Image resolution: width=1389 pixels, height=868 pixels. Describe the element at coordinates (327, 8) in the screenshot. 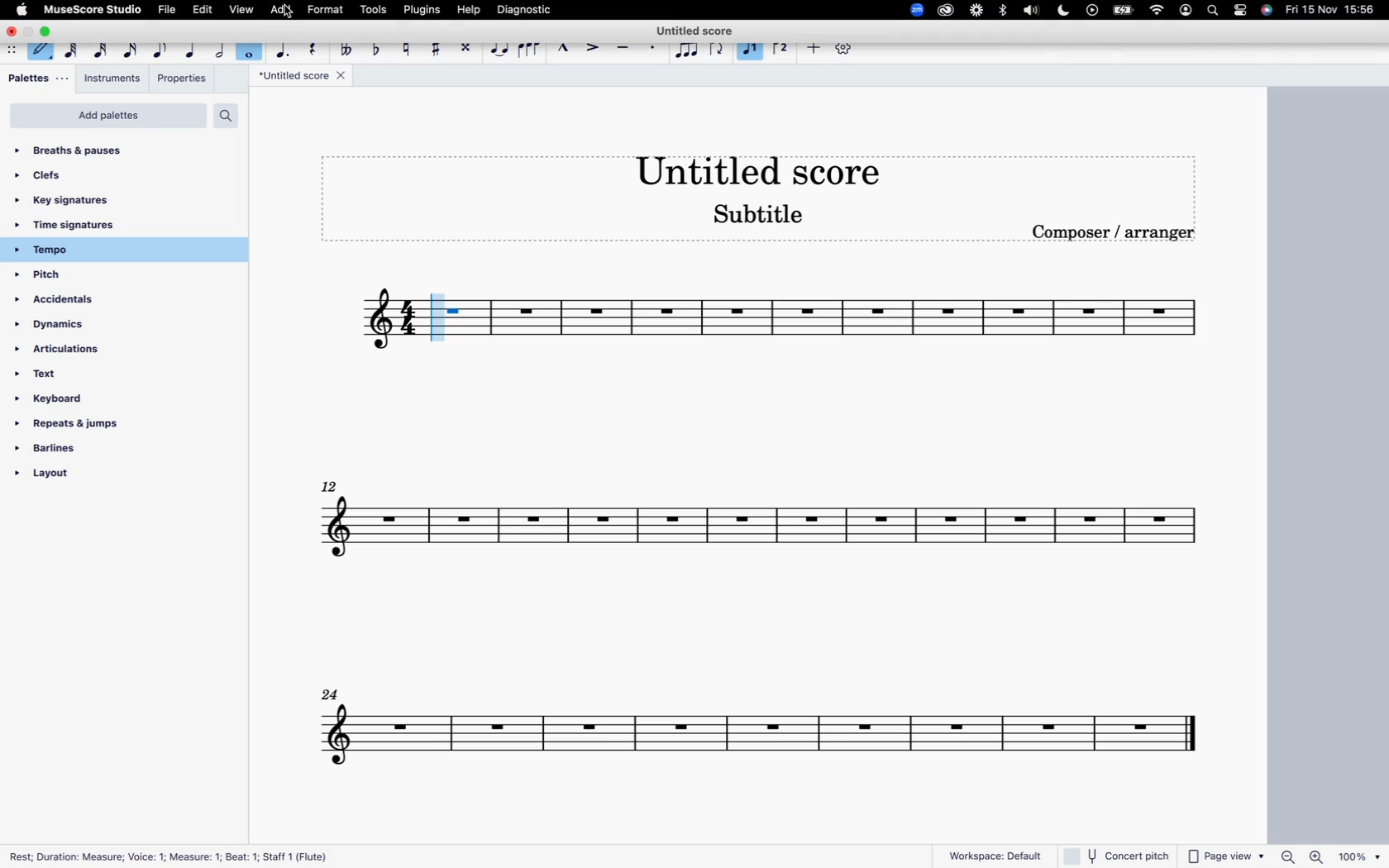

I see `format` at that location.